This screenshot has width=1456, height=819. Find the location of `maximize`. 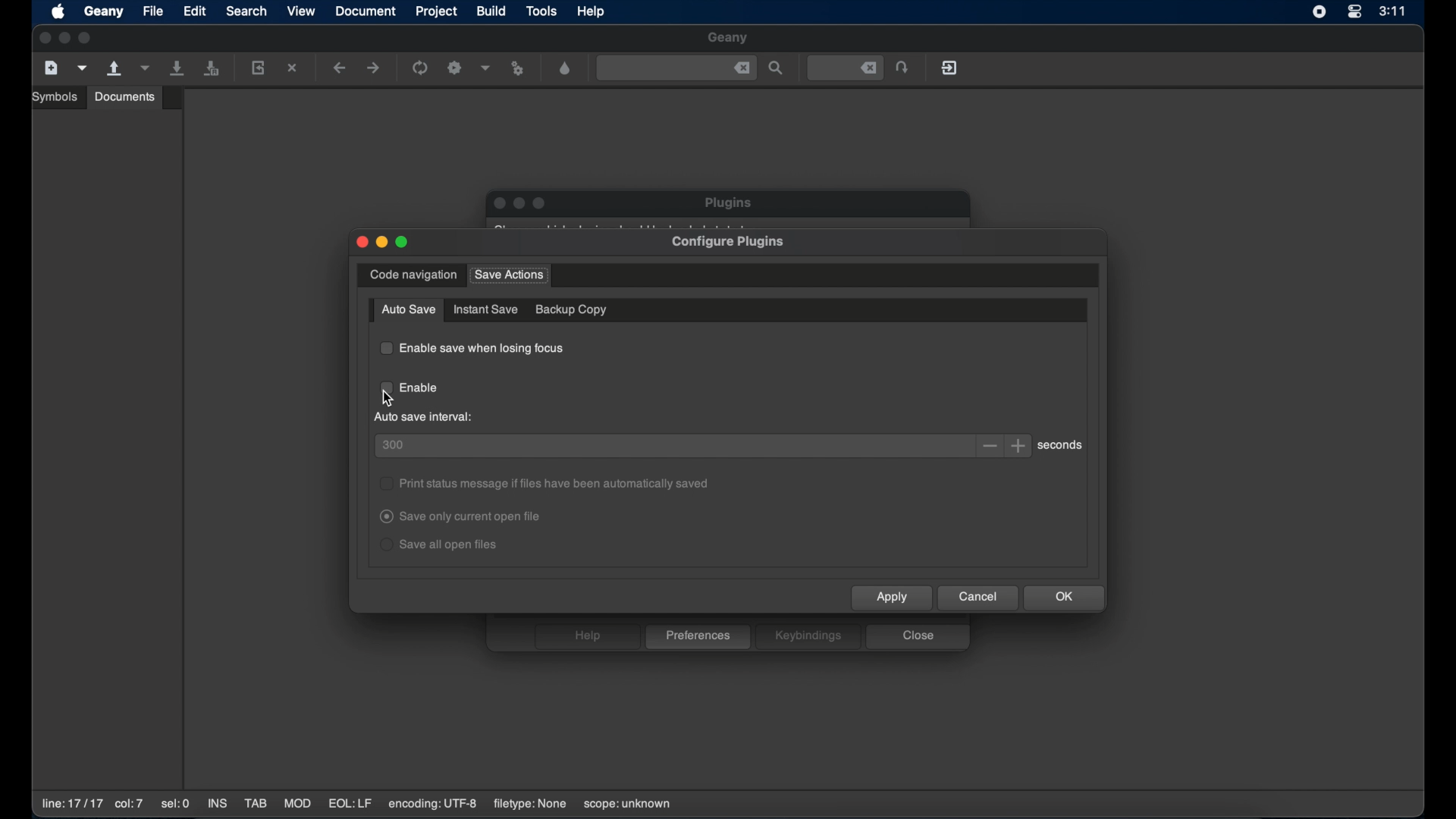

maximize is located at coordinates (403, 242).